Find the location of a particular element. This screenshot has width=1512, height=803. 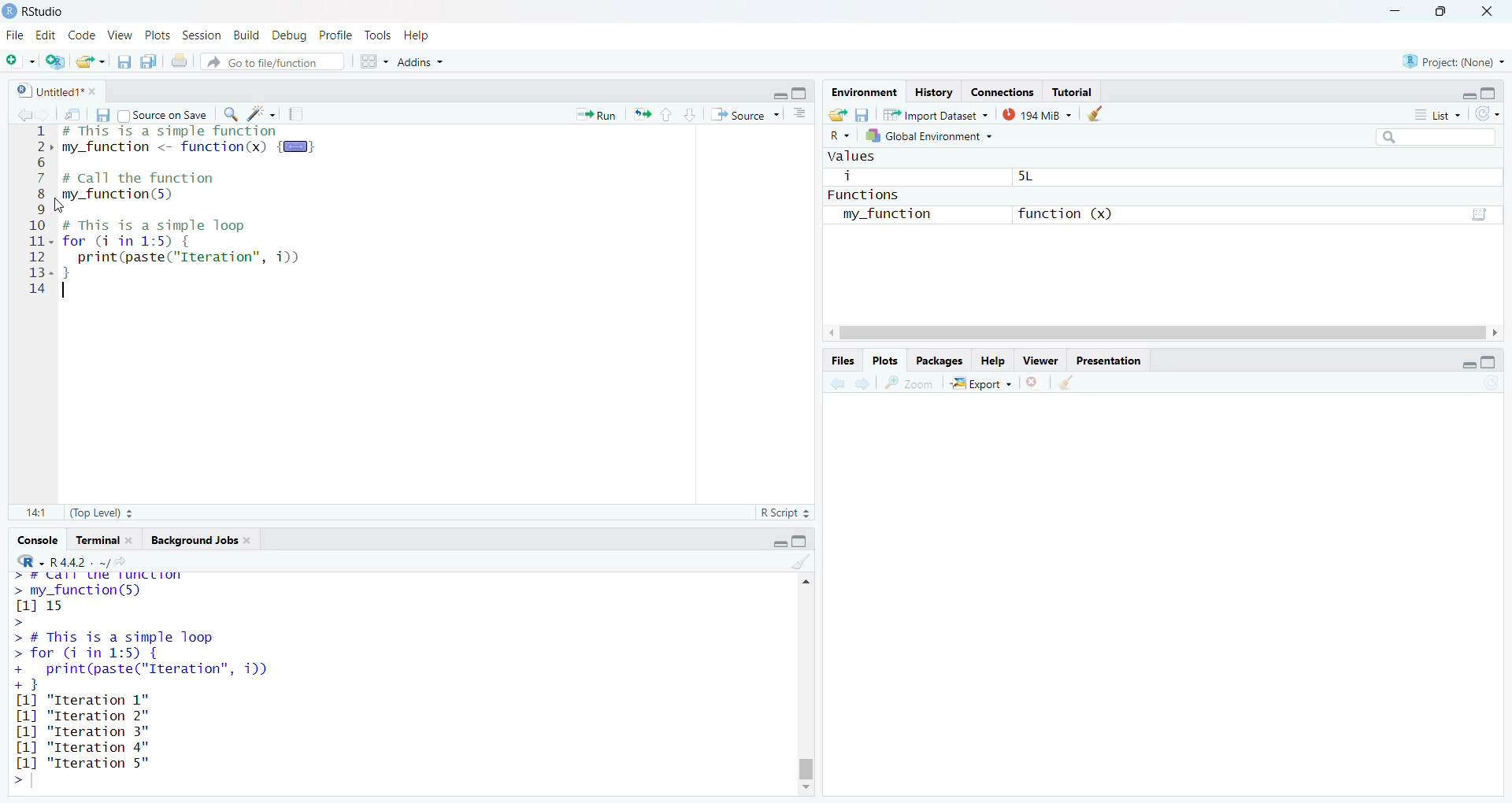

14:1 is located at coordinates (35, 514).